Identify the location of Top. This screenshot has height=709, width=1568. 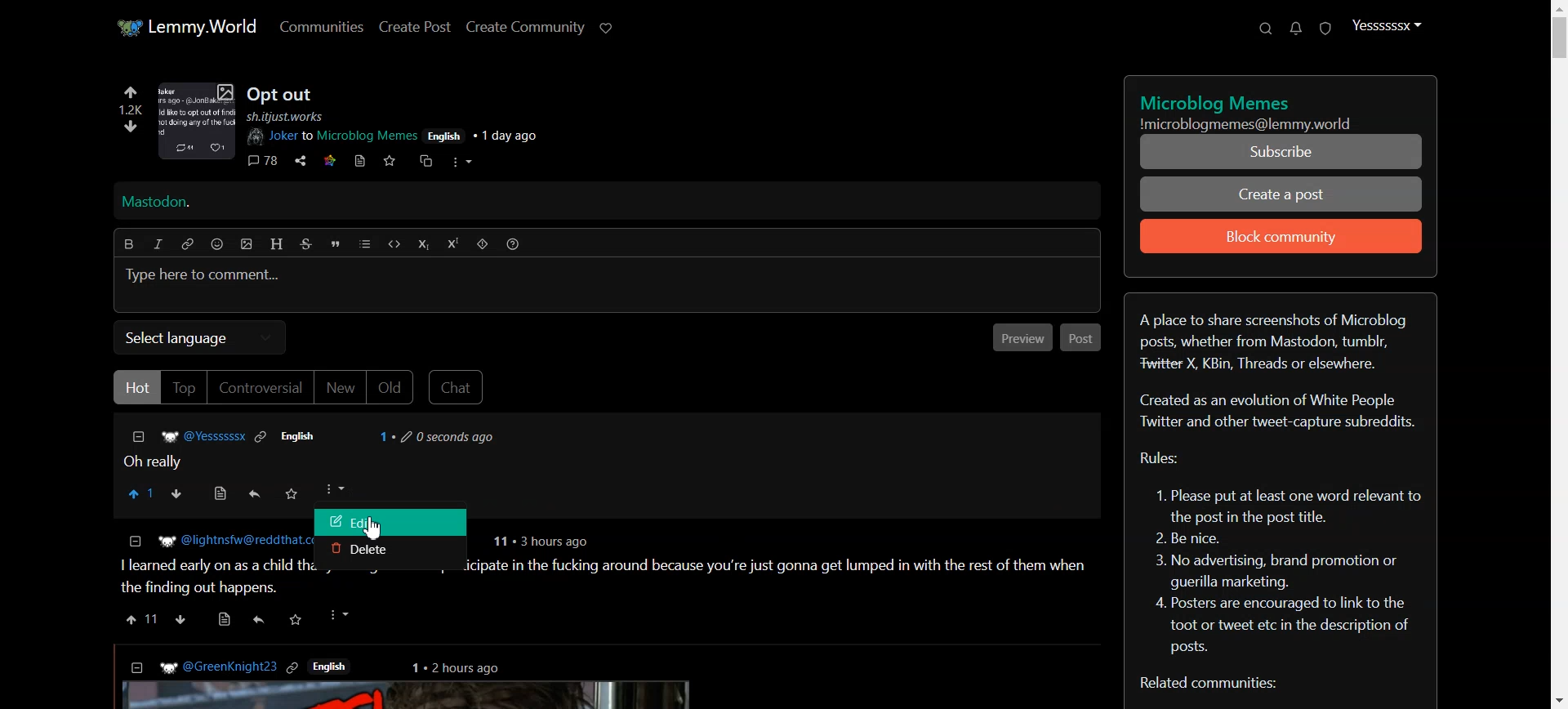
(184, 388).